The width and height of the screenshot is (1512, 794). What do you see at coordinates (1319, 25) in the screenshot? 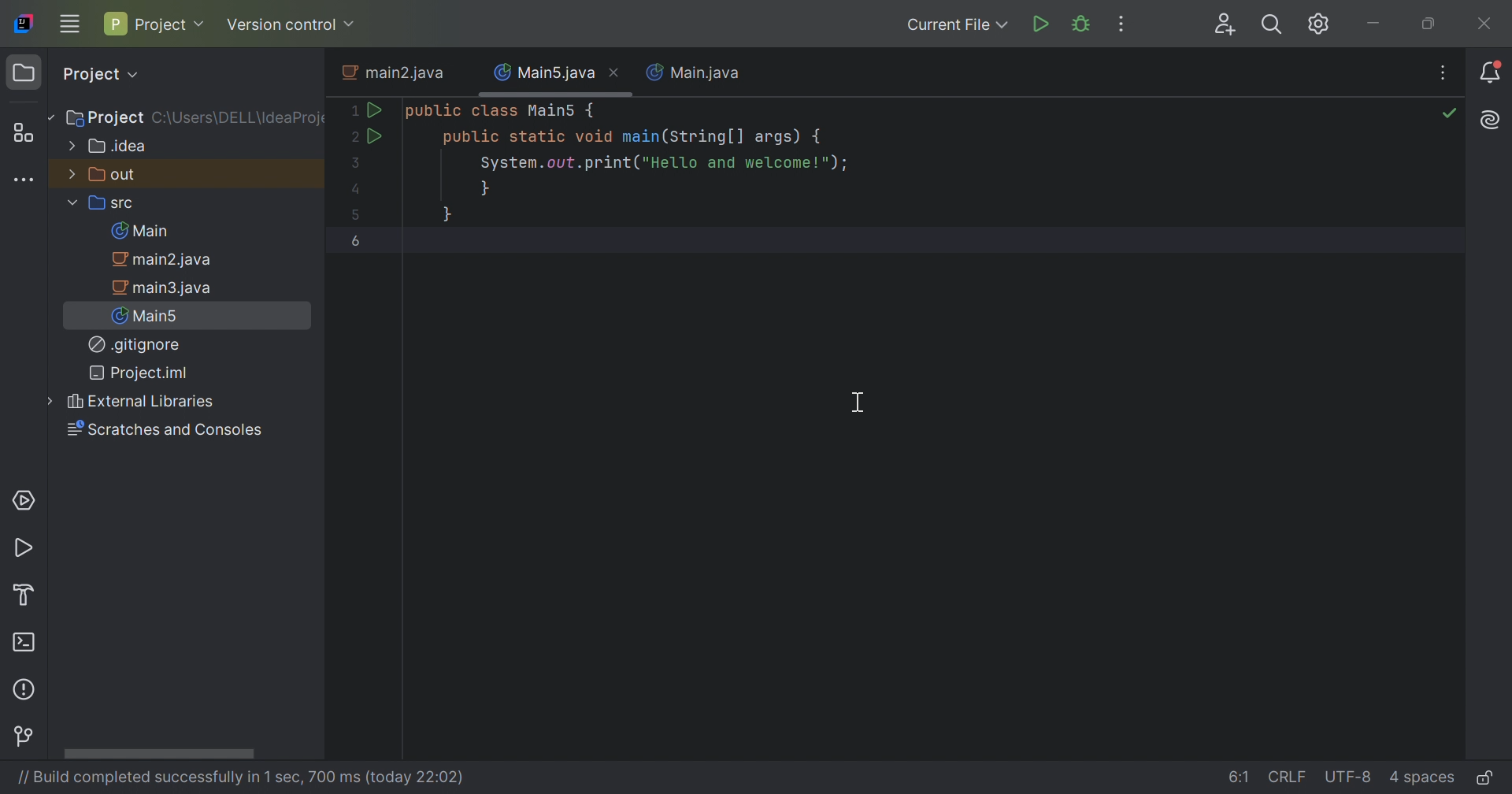
I see `Updates available. IDE and Project settings.` at bounding box center [1319, 25].